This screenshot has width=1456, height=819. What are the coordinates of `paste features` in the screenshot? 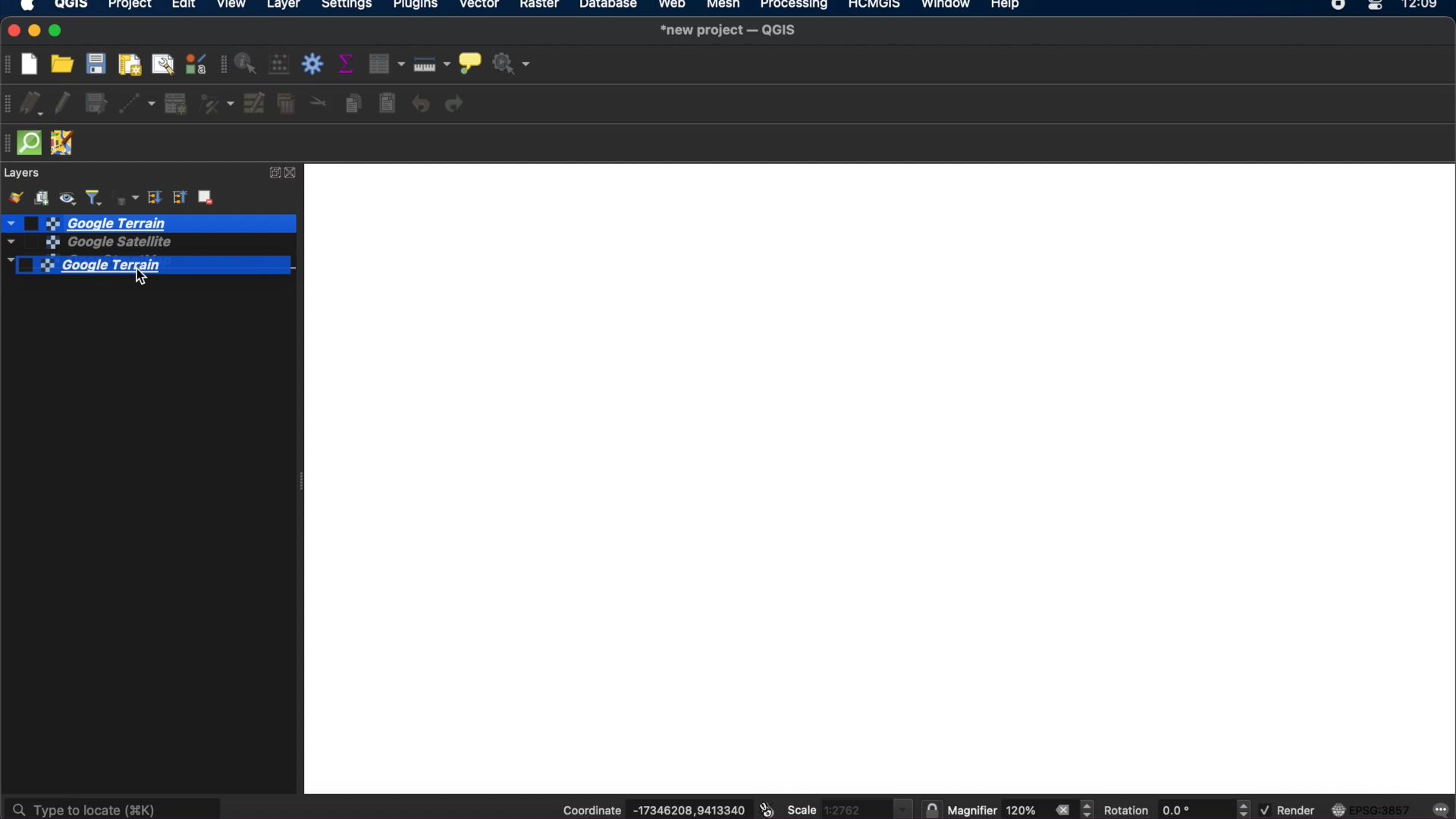 It's located at (389, 104).